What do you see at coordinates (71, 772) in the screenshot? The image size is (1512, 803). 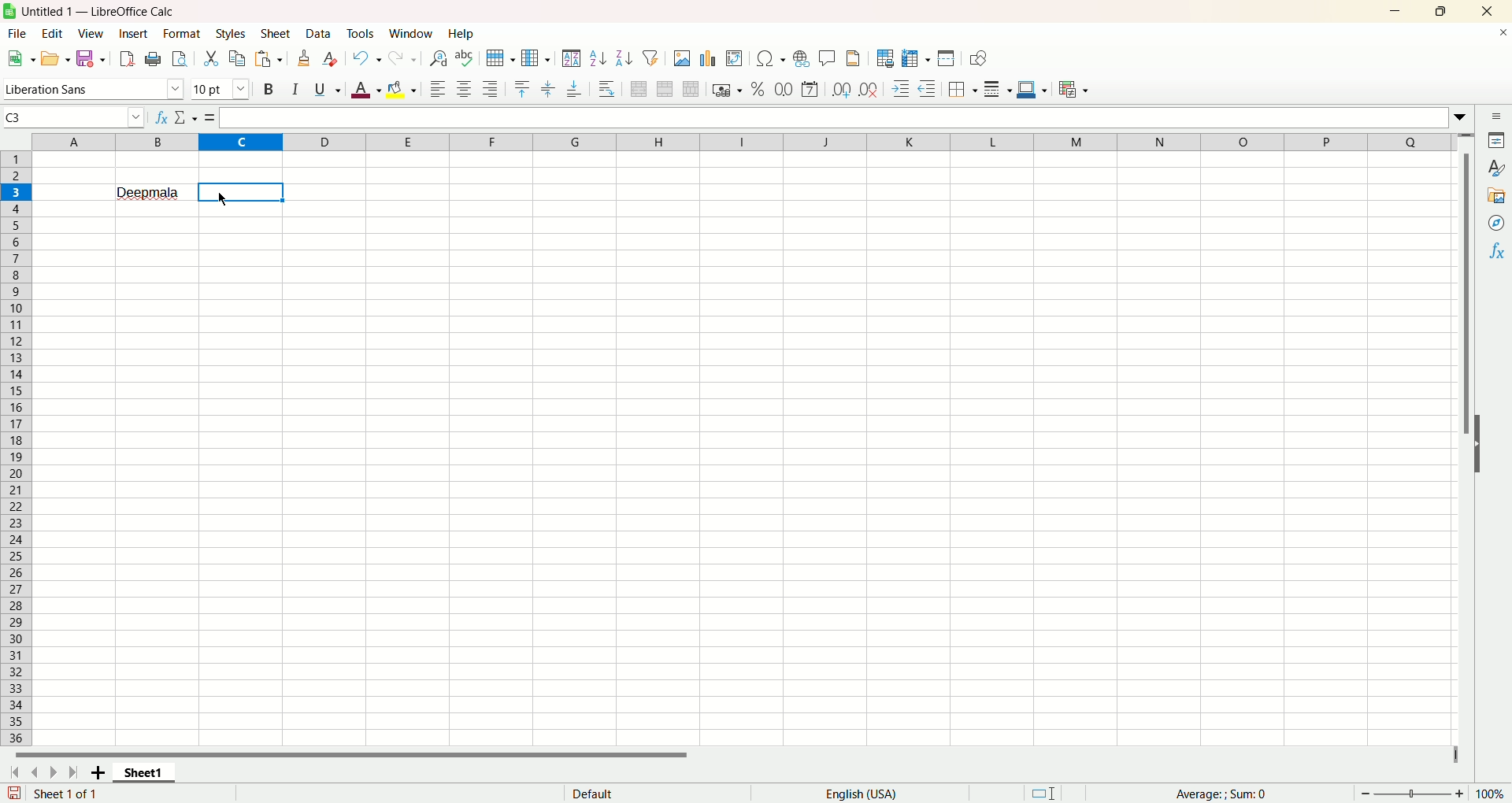 I see `goto last sheet` at bounding box center [71, 772].